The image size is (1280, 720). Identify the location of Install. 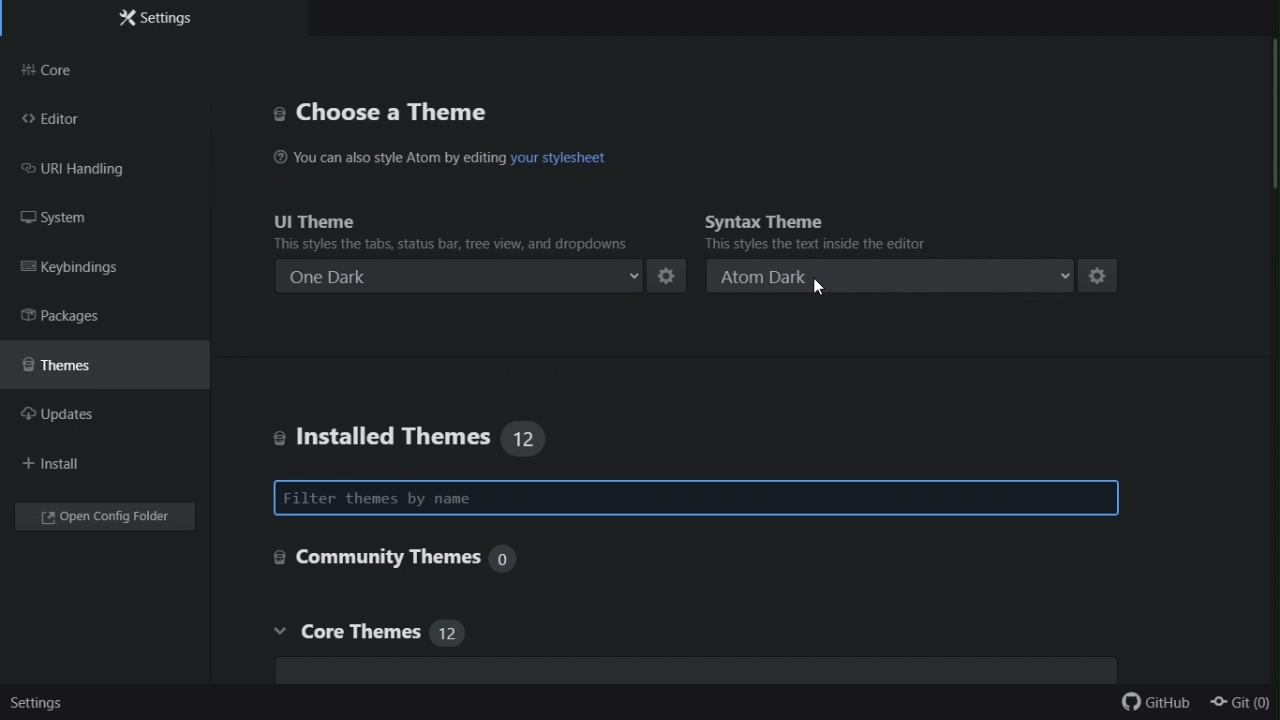
(62, 468).